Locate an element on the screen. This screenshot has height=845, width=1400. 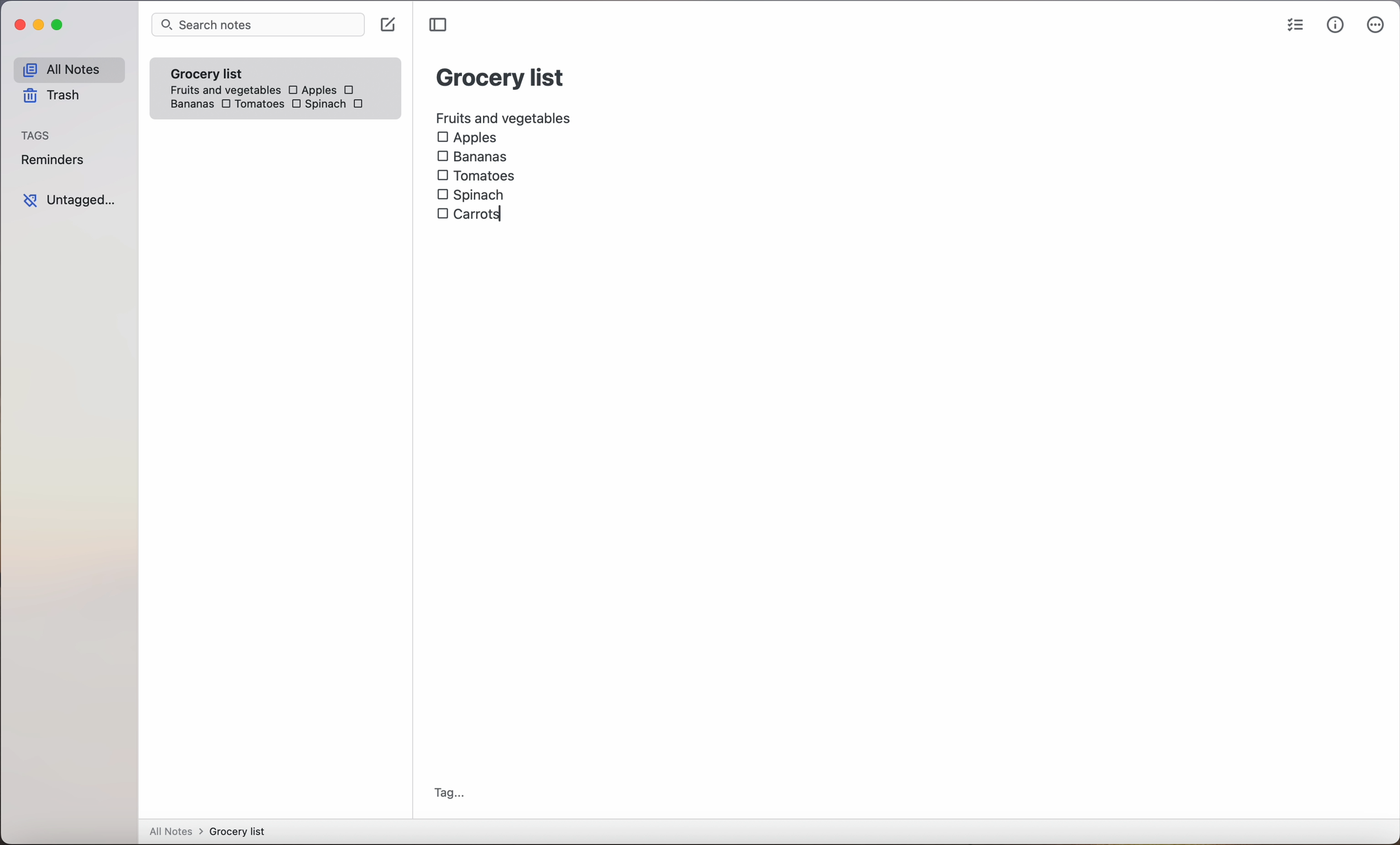
Apples checkbox is located at coordinates (311, 90).